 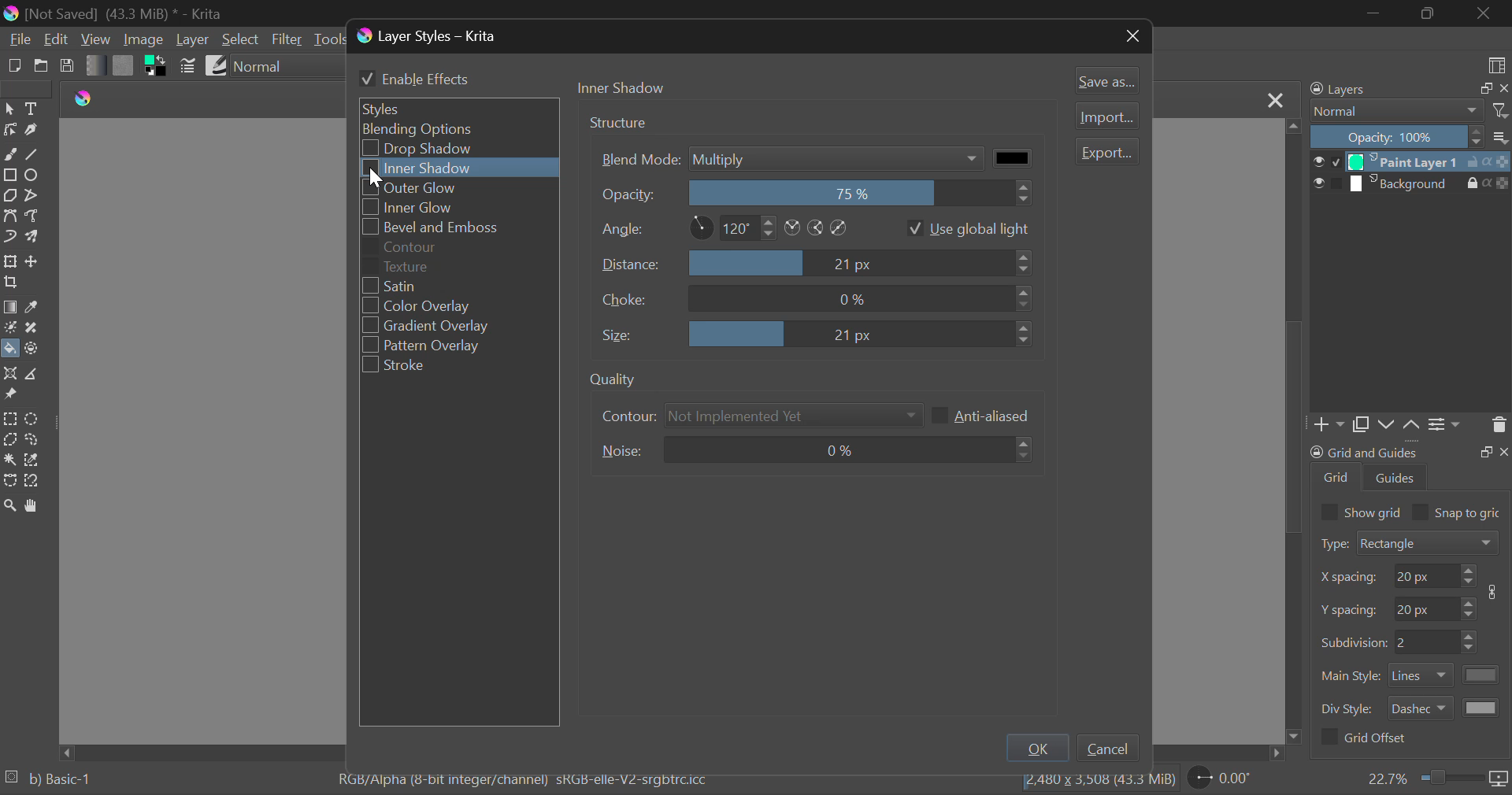 What do you see at coordinates (10, 328) in the screenshot?
I see `Colorize Mask Tool` at bounding box center [10, 328].